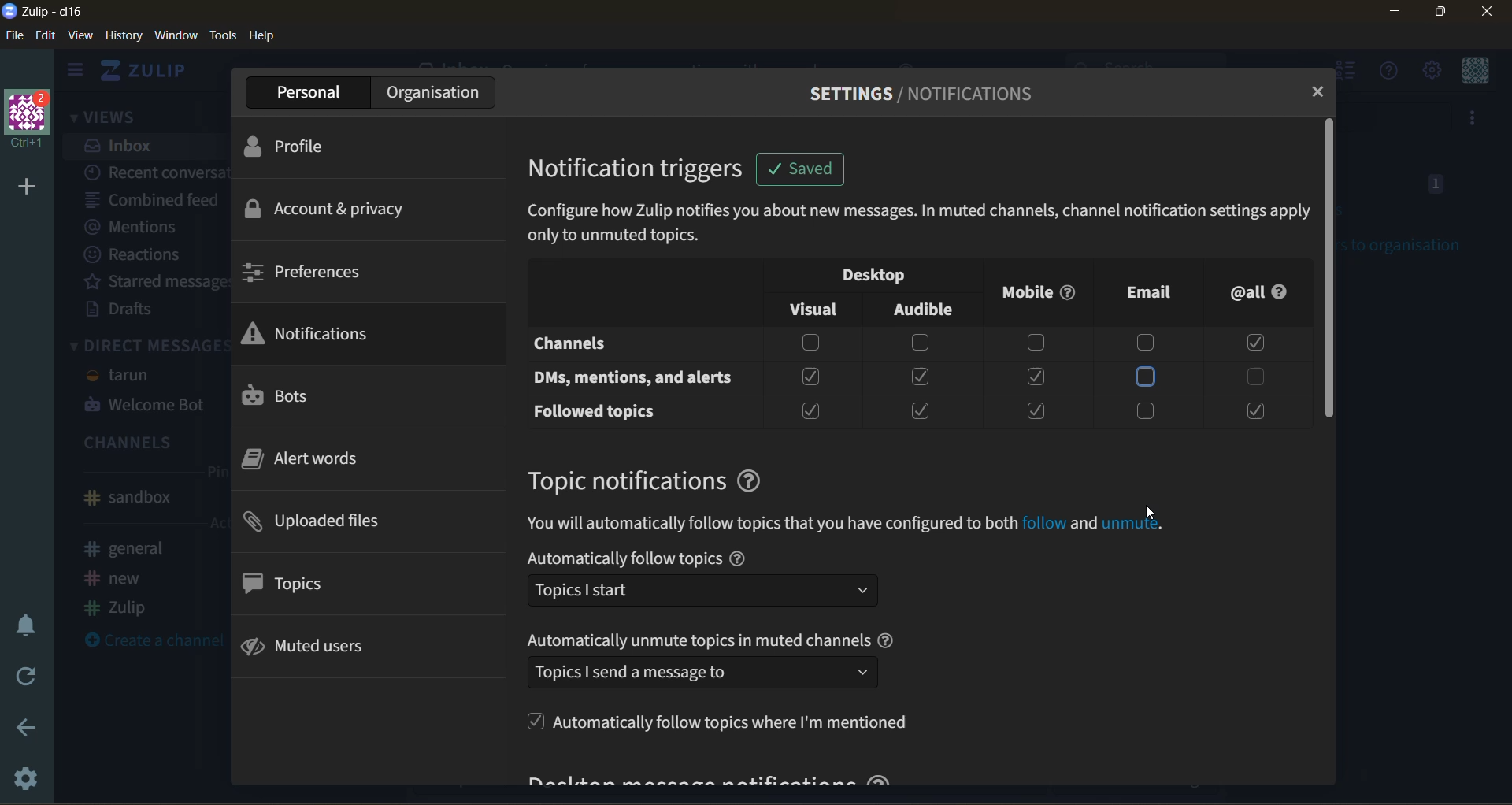 The height and width of the screenshot is (805, 1512). What do you see at coordinates (817, 306) in the screenshot?
I see `visual` at bounding box center [817, 306].